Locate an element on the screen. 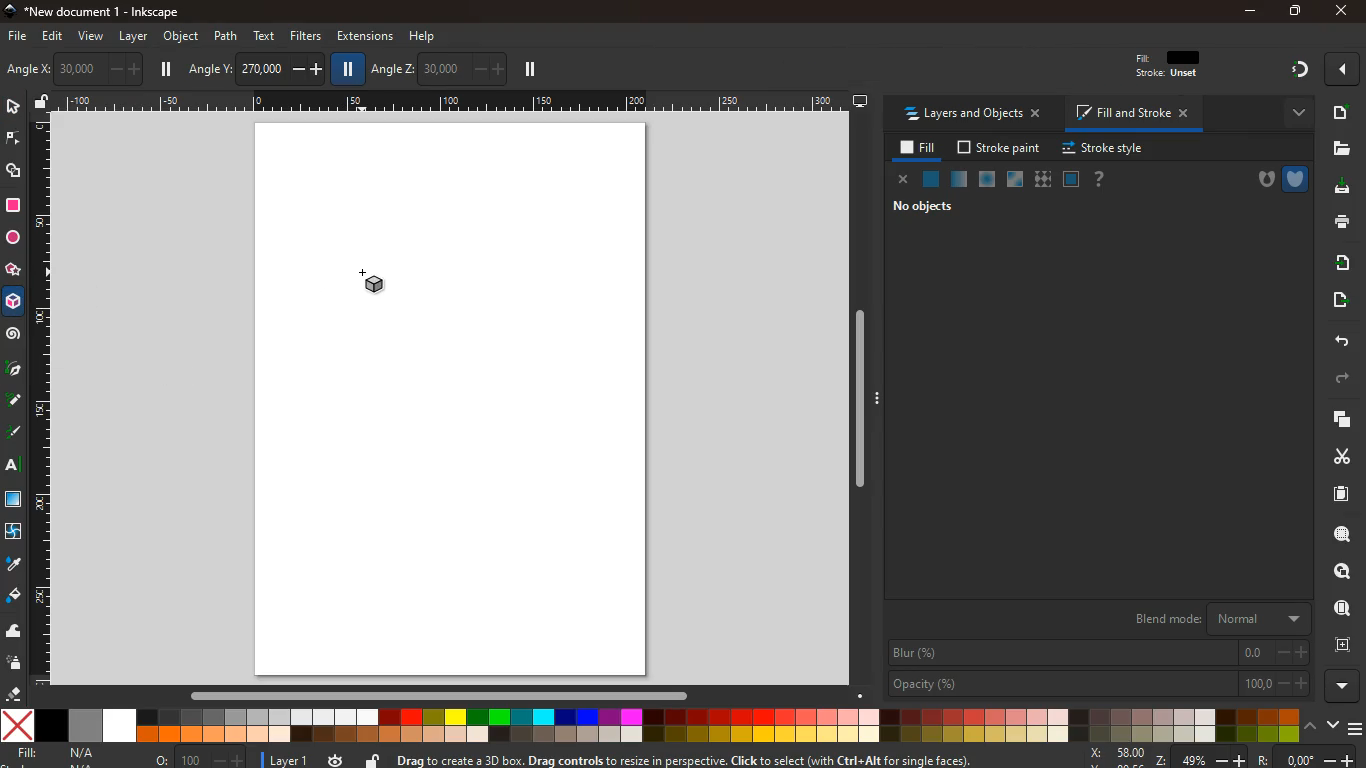 The height and width of the screenshot is (768, 1366). more is located at coordinates (1341, 685).